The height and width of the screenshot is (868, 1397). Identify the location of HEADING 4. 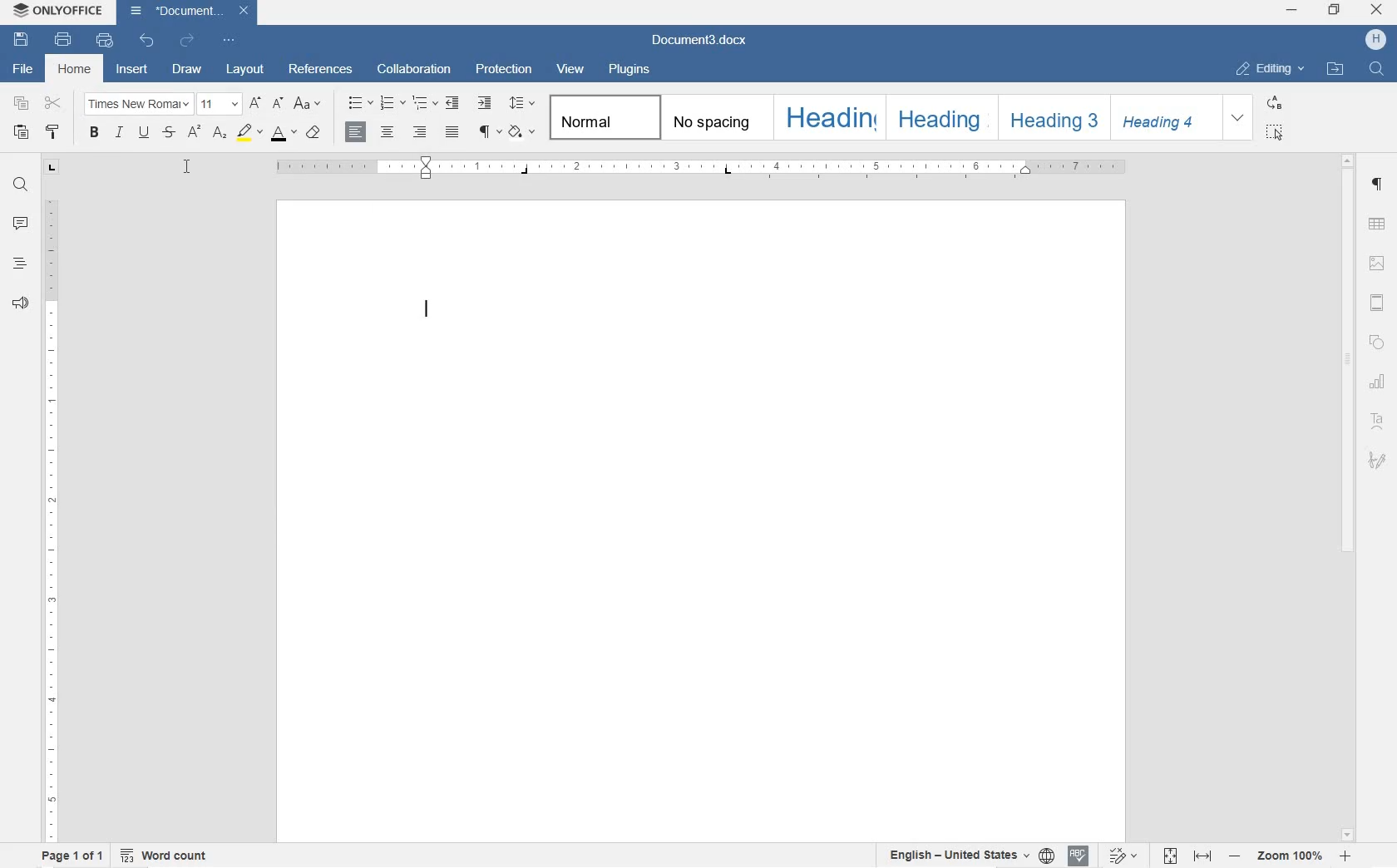
(1163, 116).